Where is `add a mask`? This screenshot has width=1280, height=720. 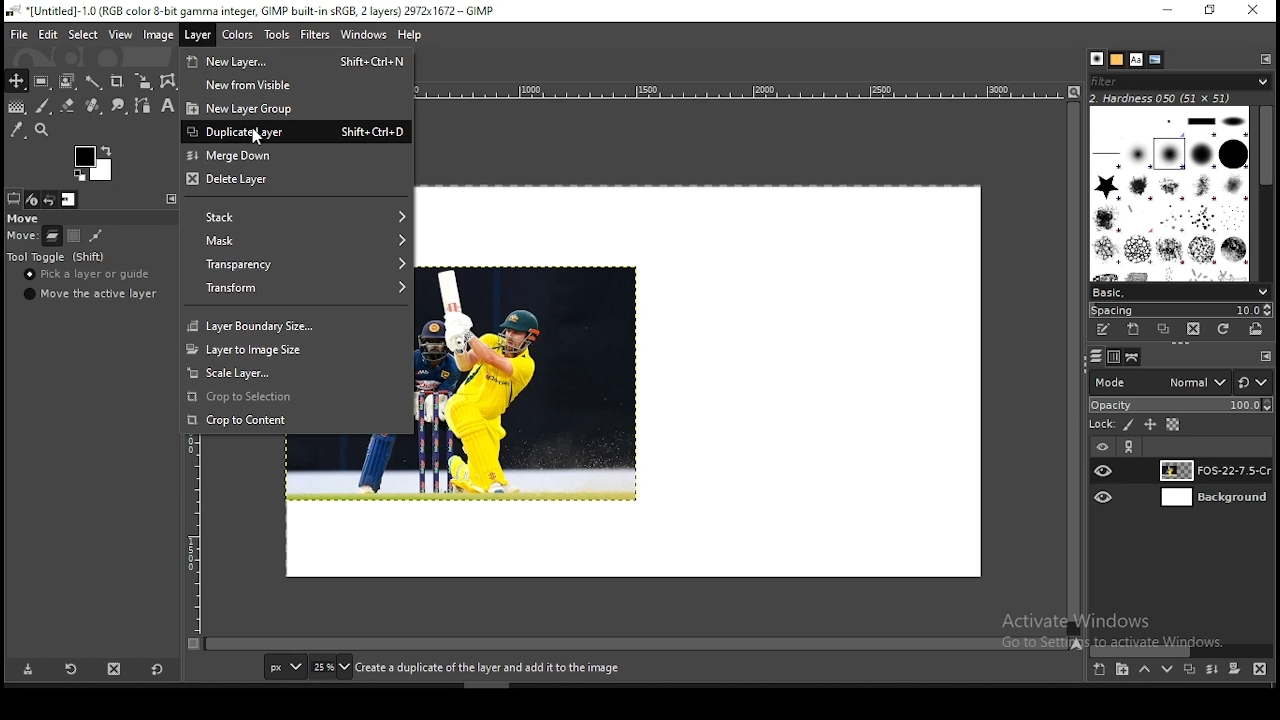
add a mask is located at coordinates (1232, 670).